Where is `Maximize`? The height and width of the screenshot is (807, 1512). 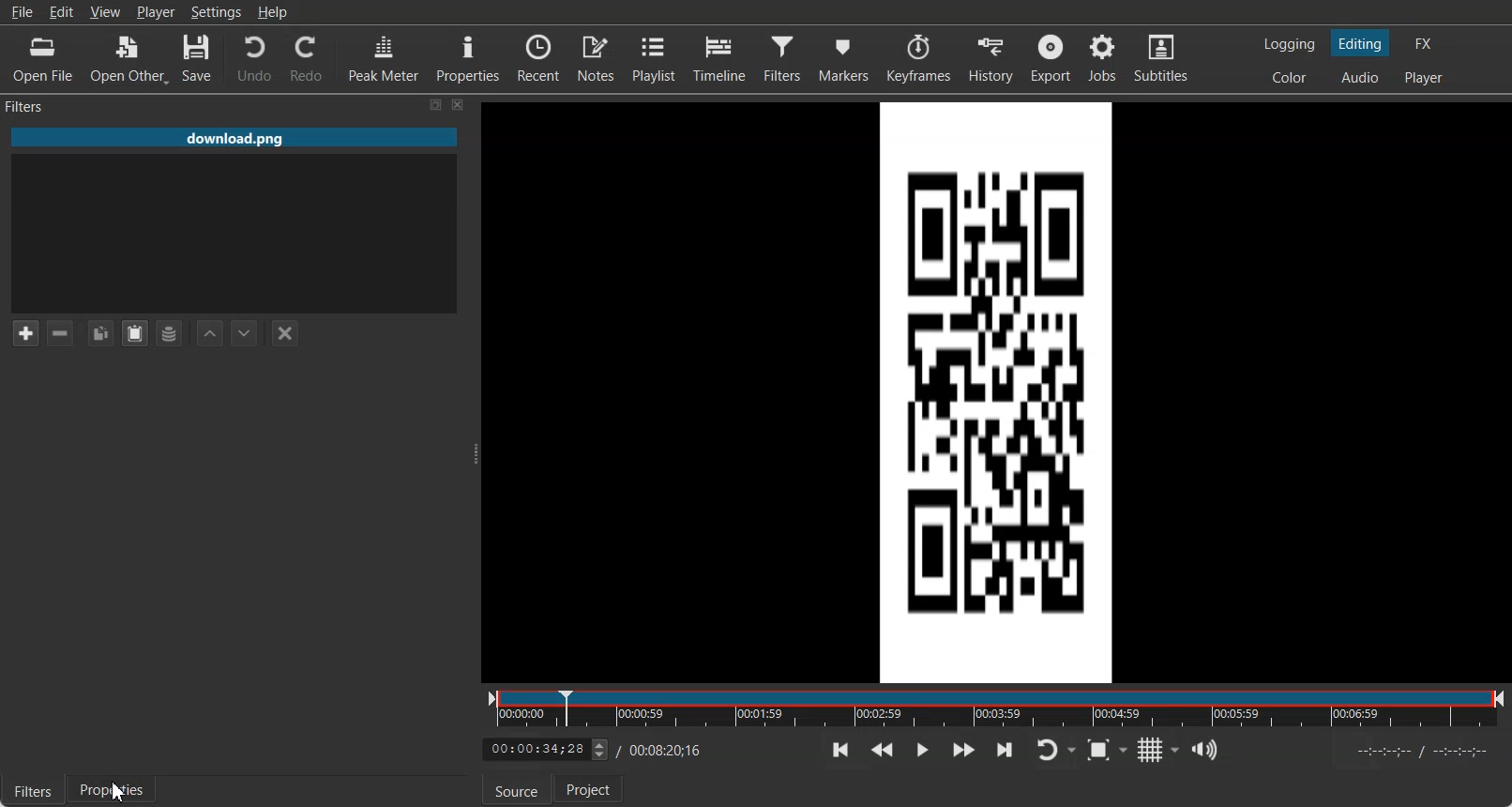 Maximize is located at coordinates (436, 105).